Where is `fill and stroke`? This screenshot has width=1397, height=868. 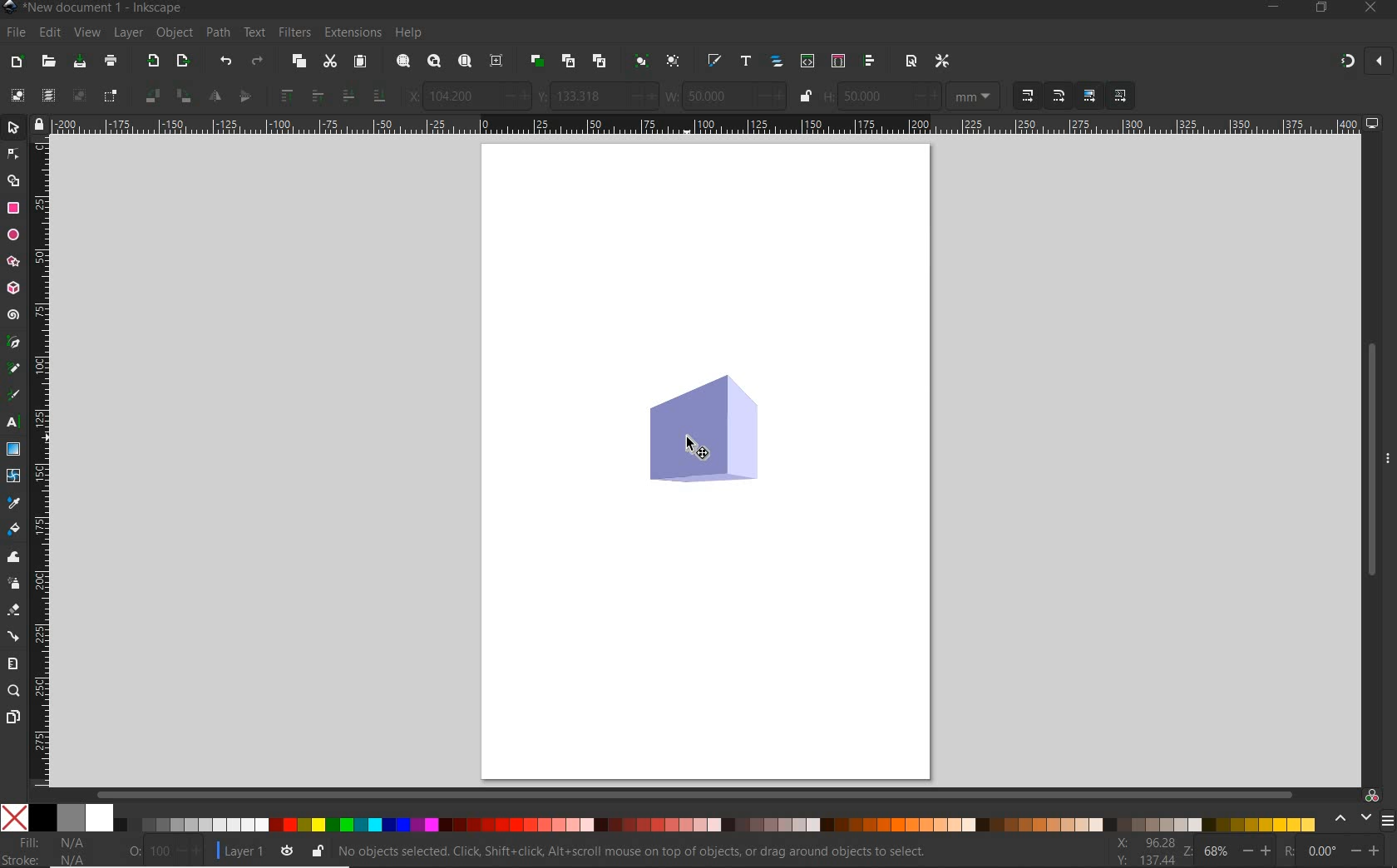
fill and stroke is located at coordinates (49, 851).